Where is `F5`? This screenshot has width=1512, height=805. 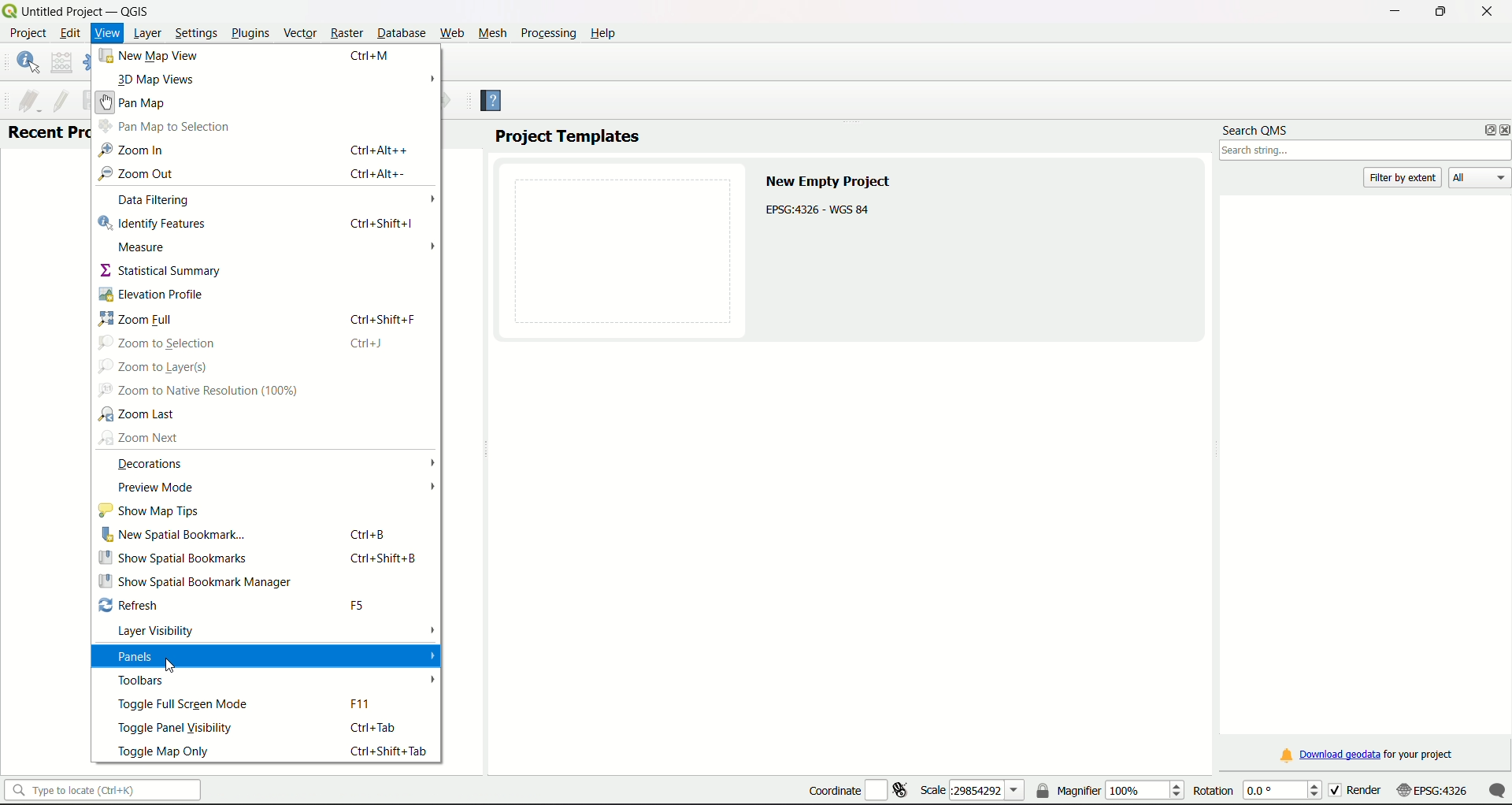 F5 is located at coordinates (358, 607).